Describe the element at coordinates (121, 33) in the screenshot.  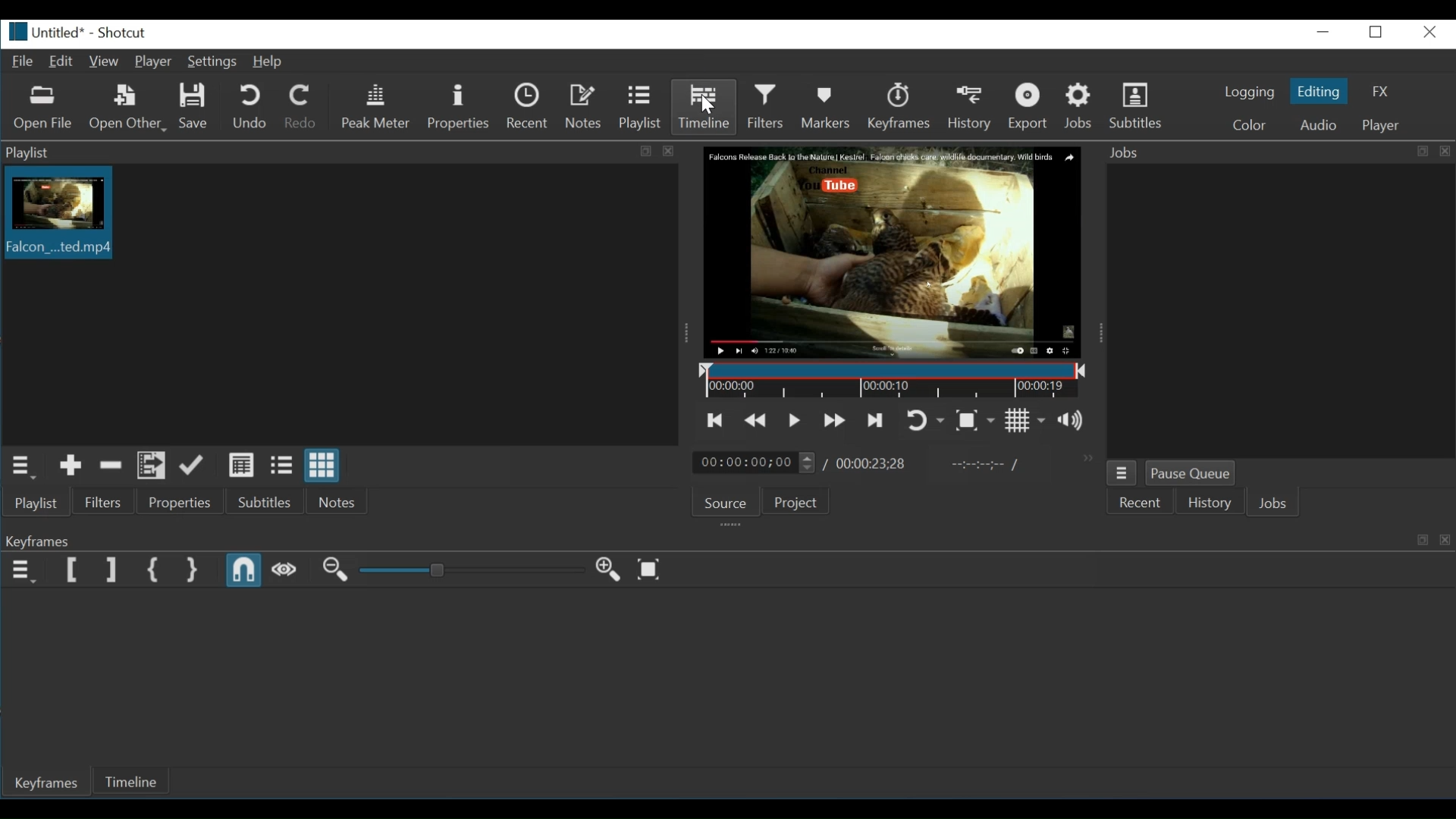
I see `Shotcut` at that location.